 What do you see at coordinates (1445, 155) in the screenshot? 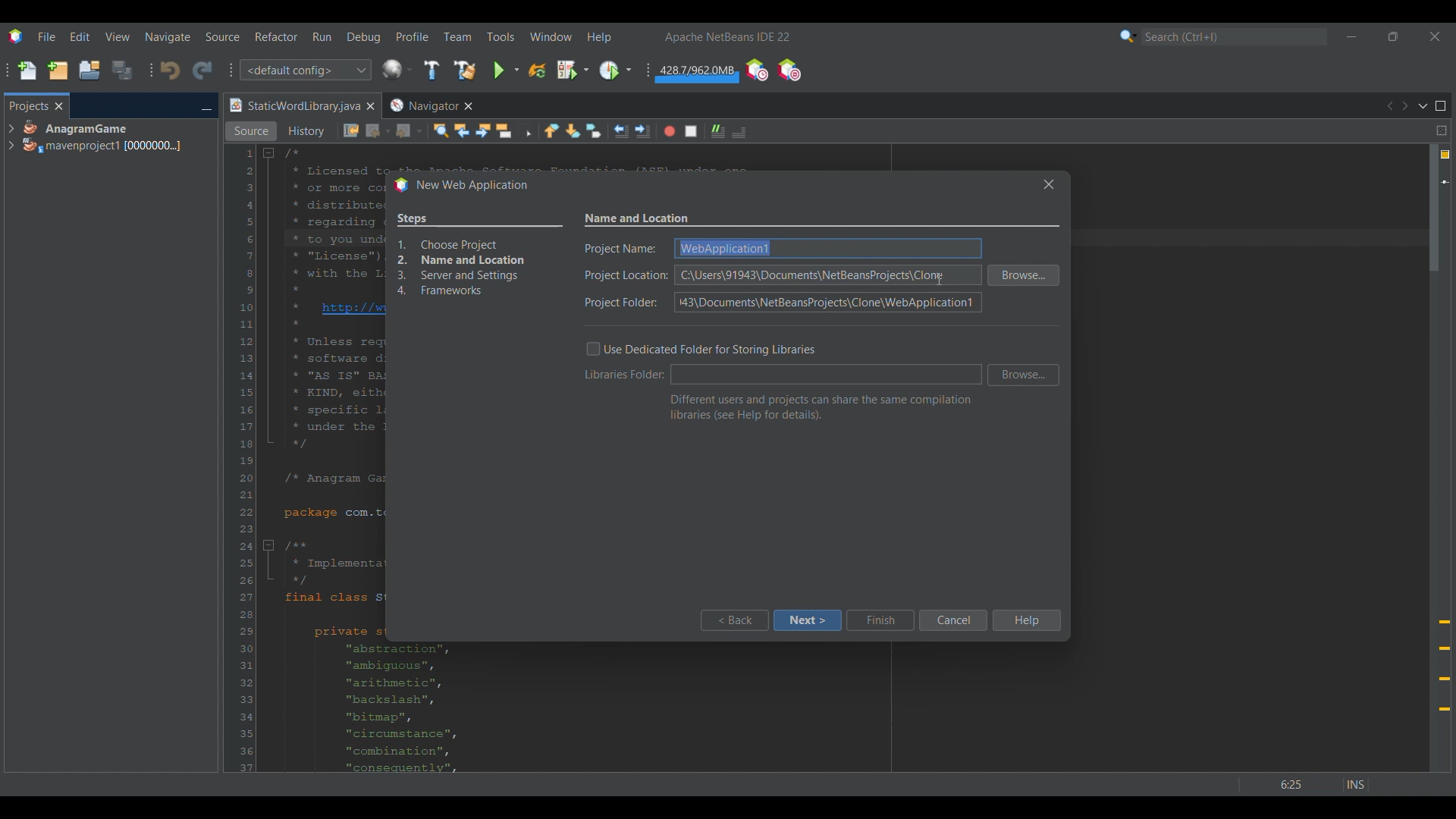
I see `4 warnings` at bounding box center [1445, 155].